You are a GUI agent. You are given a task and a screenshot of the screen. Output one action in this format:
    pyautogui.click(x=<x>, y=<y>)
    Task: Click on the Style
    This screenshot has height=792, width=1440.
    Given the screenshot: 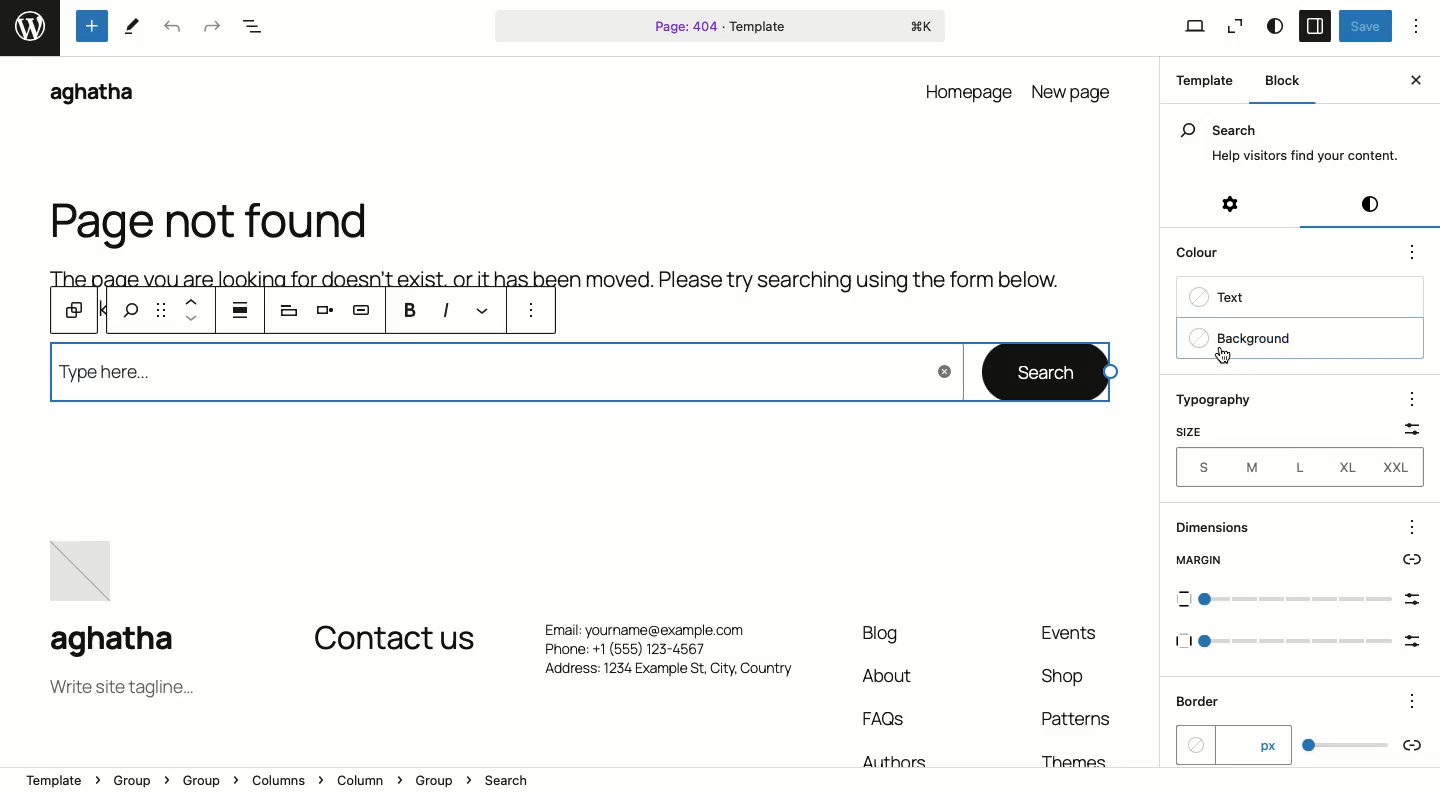 What is the action you would take?
    pyautogui.click(x=1276, y=27)
    